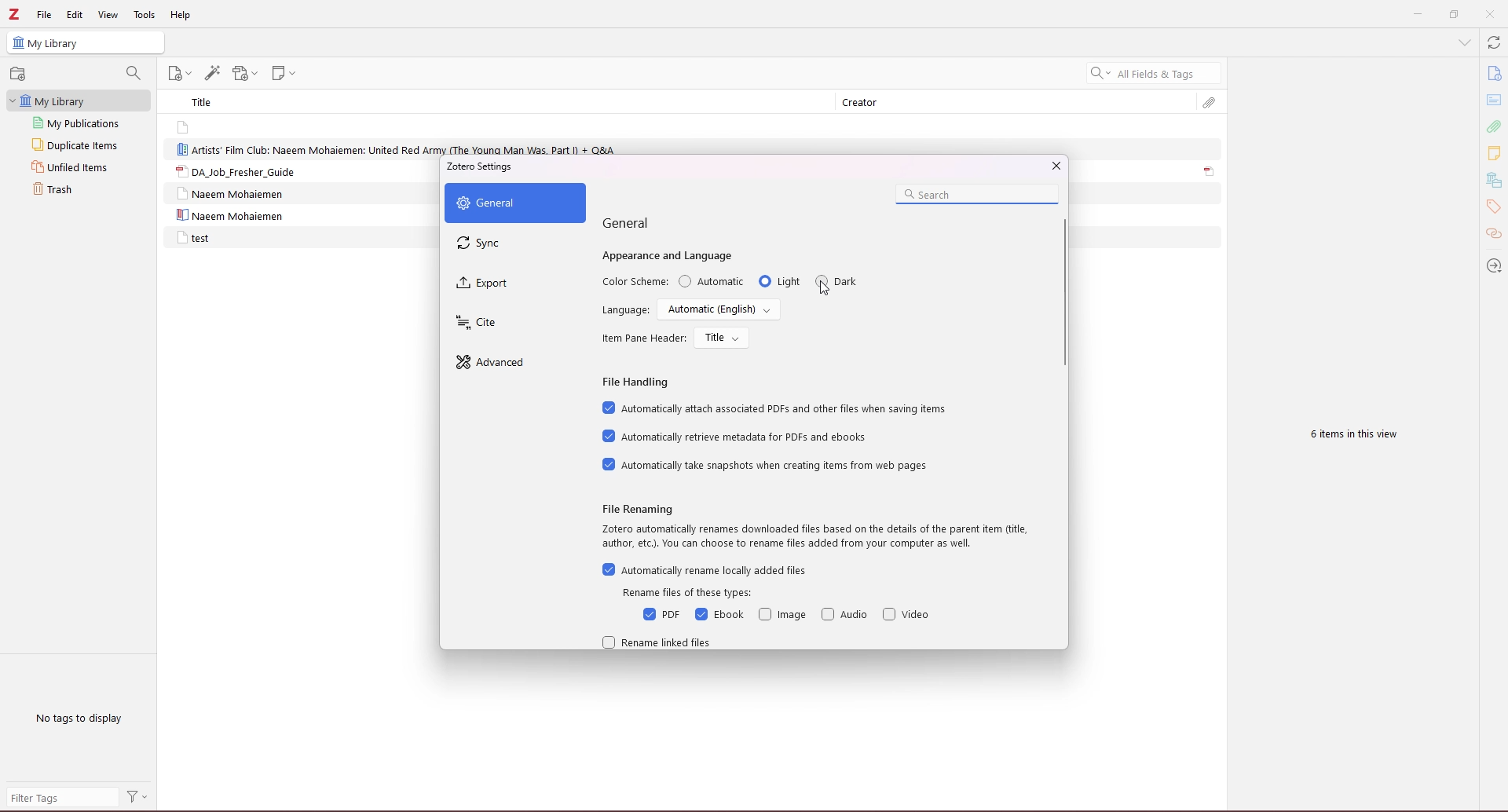 The image size is (1508, 812). I want to click on unfiled items, so click(76, 167).